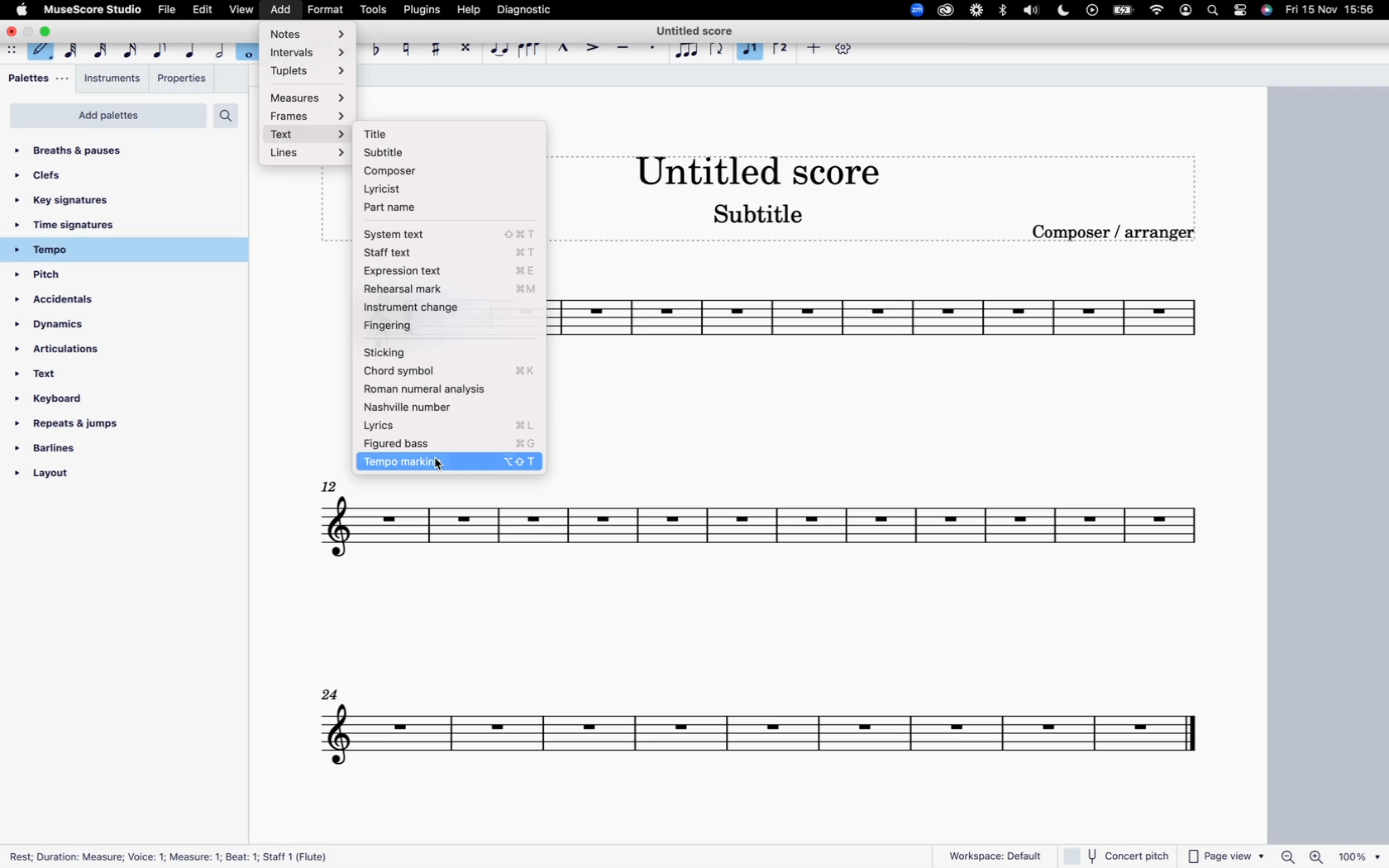 This screenshot has height=868, width=1389. Describe the element at coordinates (41, 52) in the screenshot. I see `default` at that location.